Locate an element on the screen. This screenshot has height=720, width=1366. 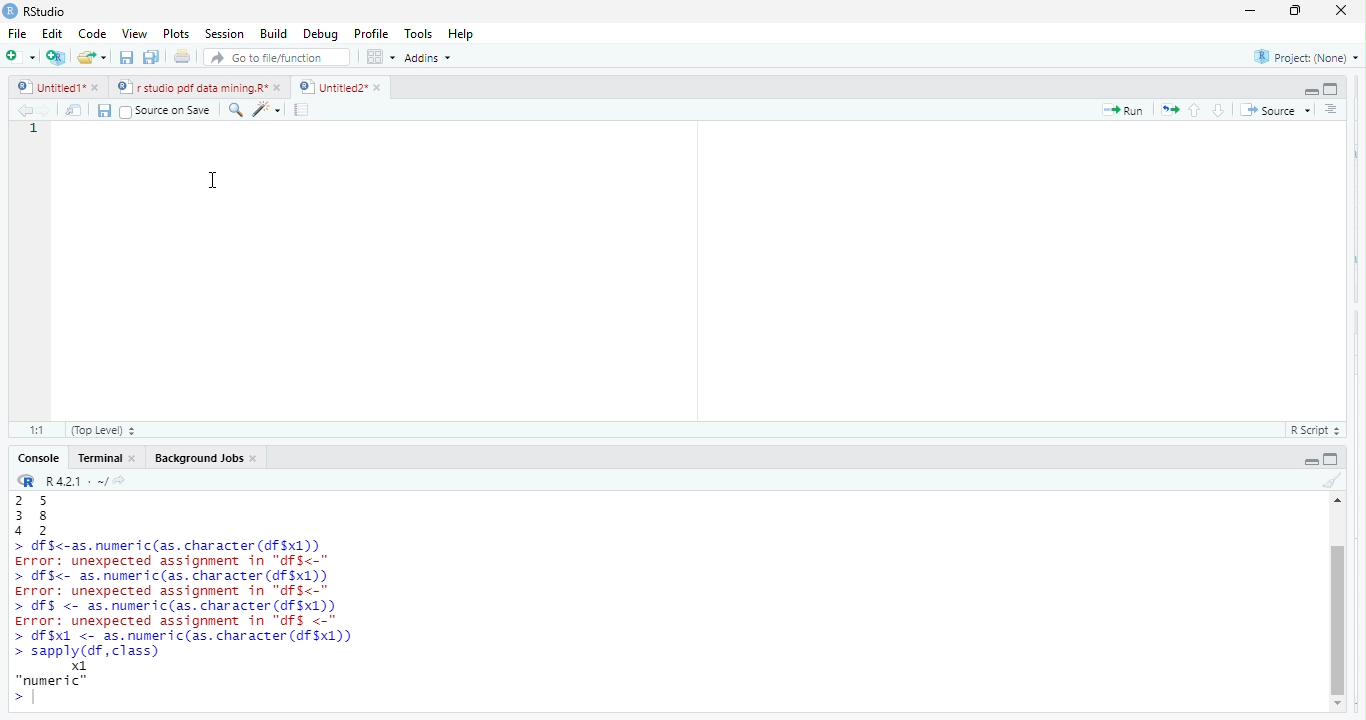
save current document is located at coordinates (127, 57).